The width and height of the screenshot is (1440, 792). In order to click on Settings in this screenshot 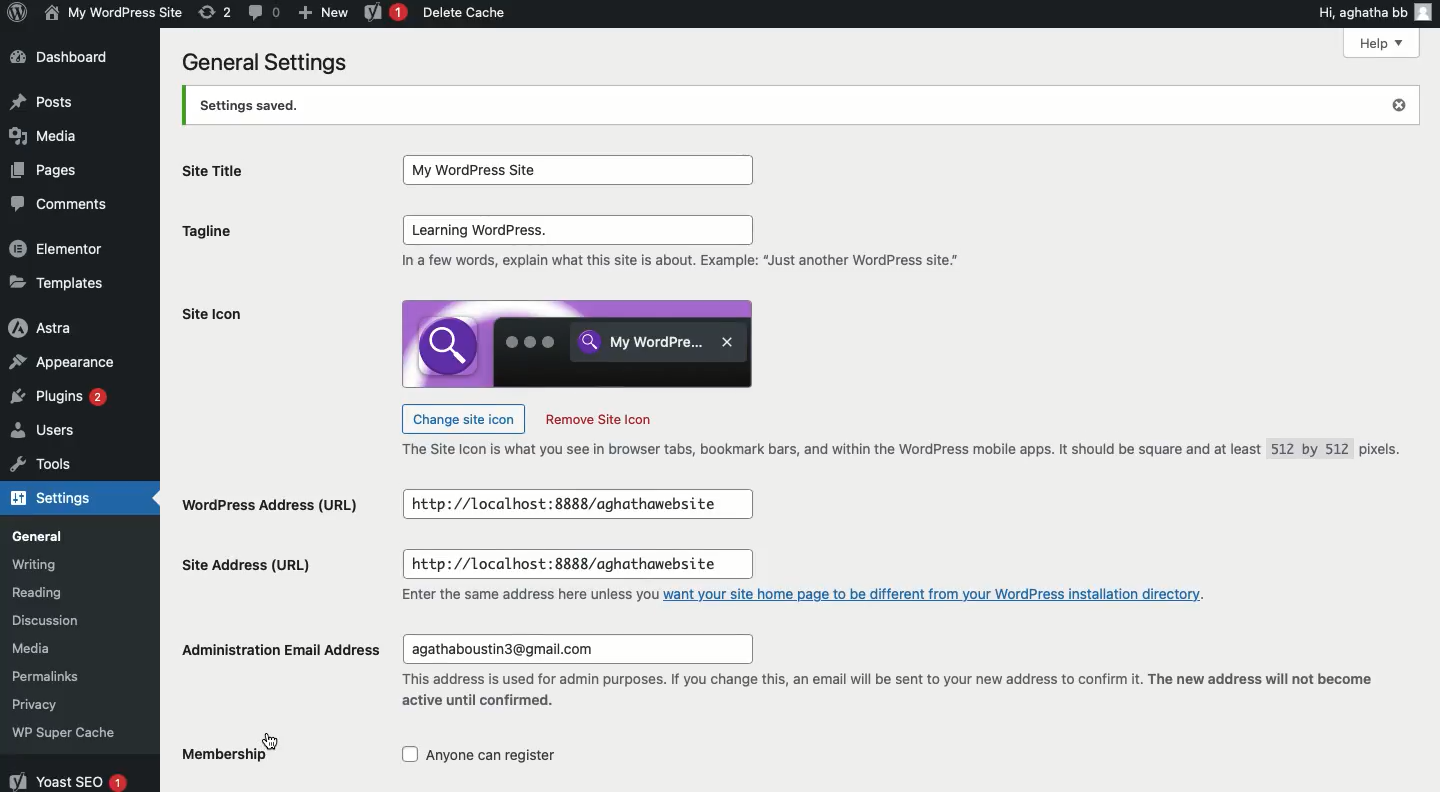, I will do `click(59, 500)`.